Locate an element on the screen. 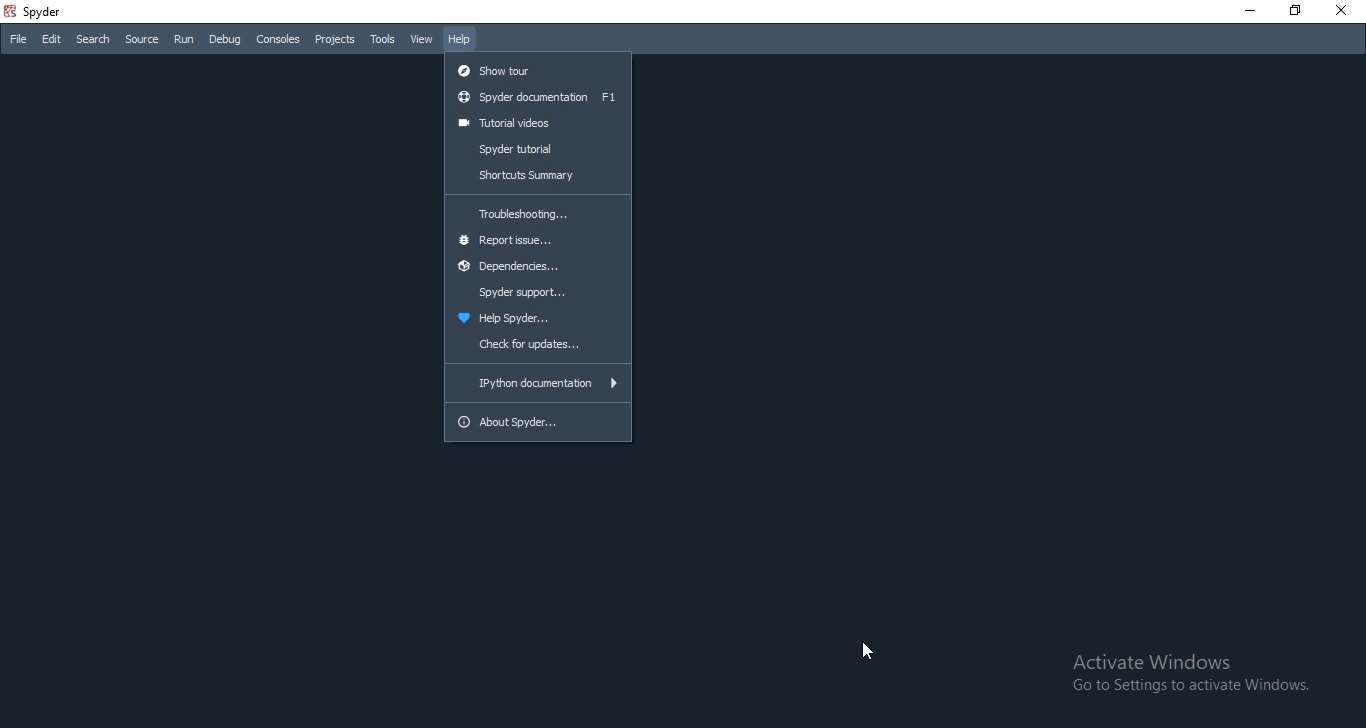  help spyder is located at coordinates (536, 319).